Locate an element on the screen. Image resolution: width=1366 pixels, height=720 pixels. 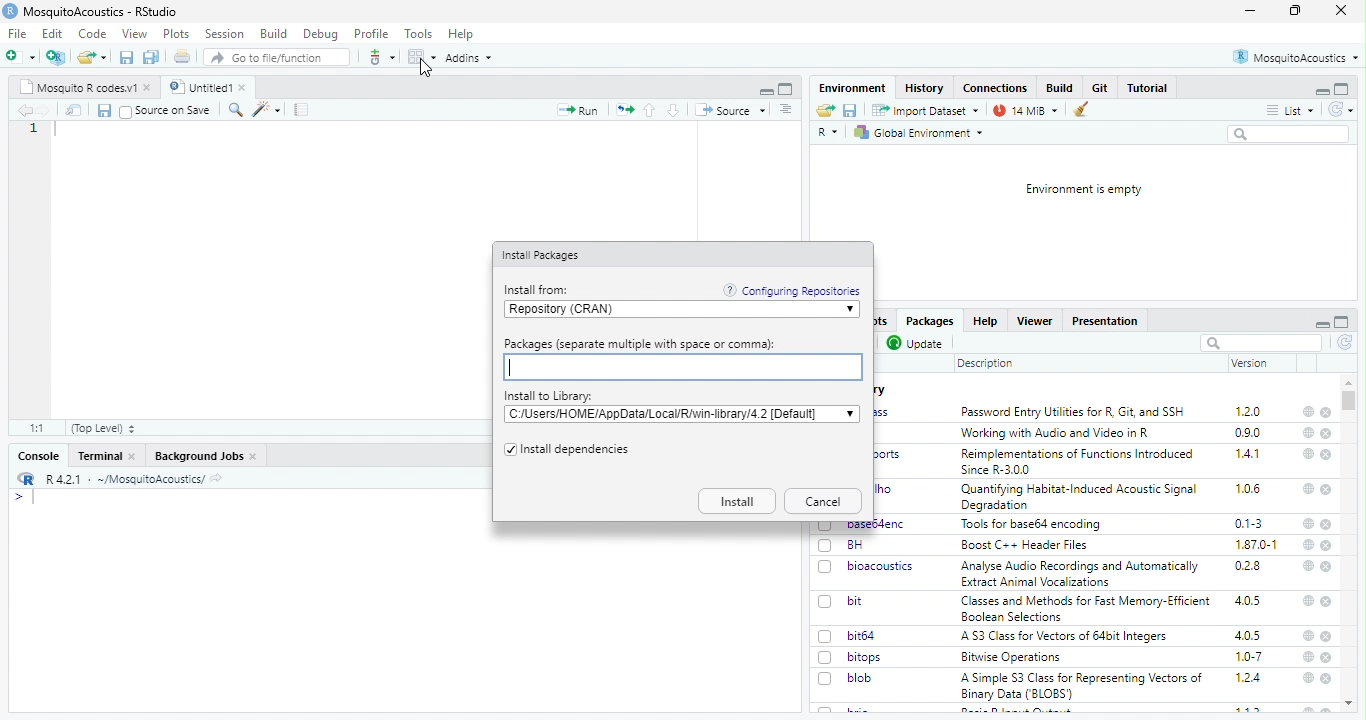
web is located at coordinates (1310, 489).